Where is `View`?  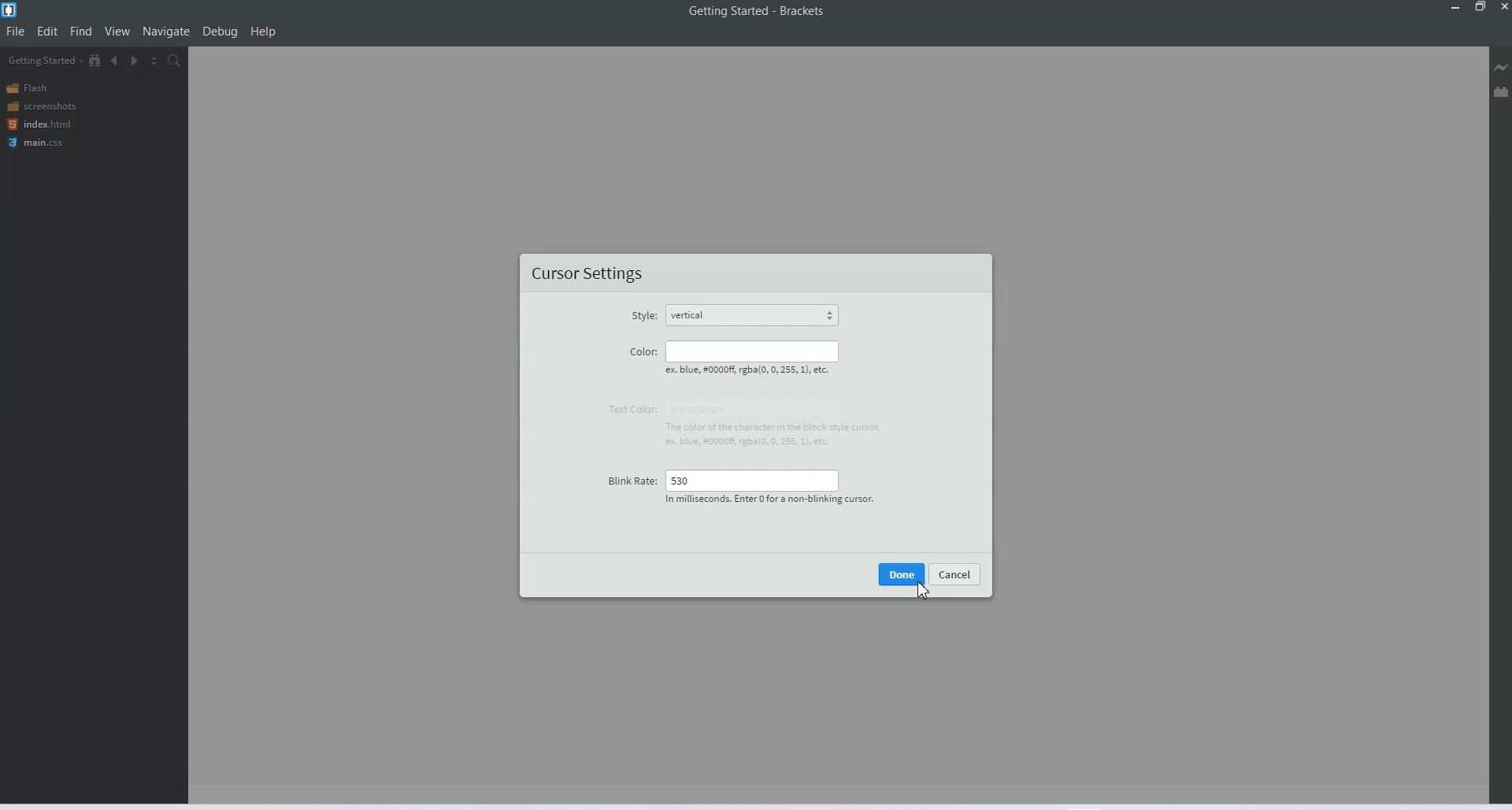 View is located at coordinates (117, 30).